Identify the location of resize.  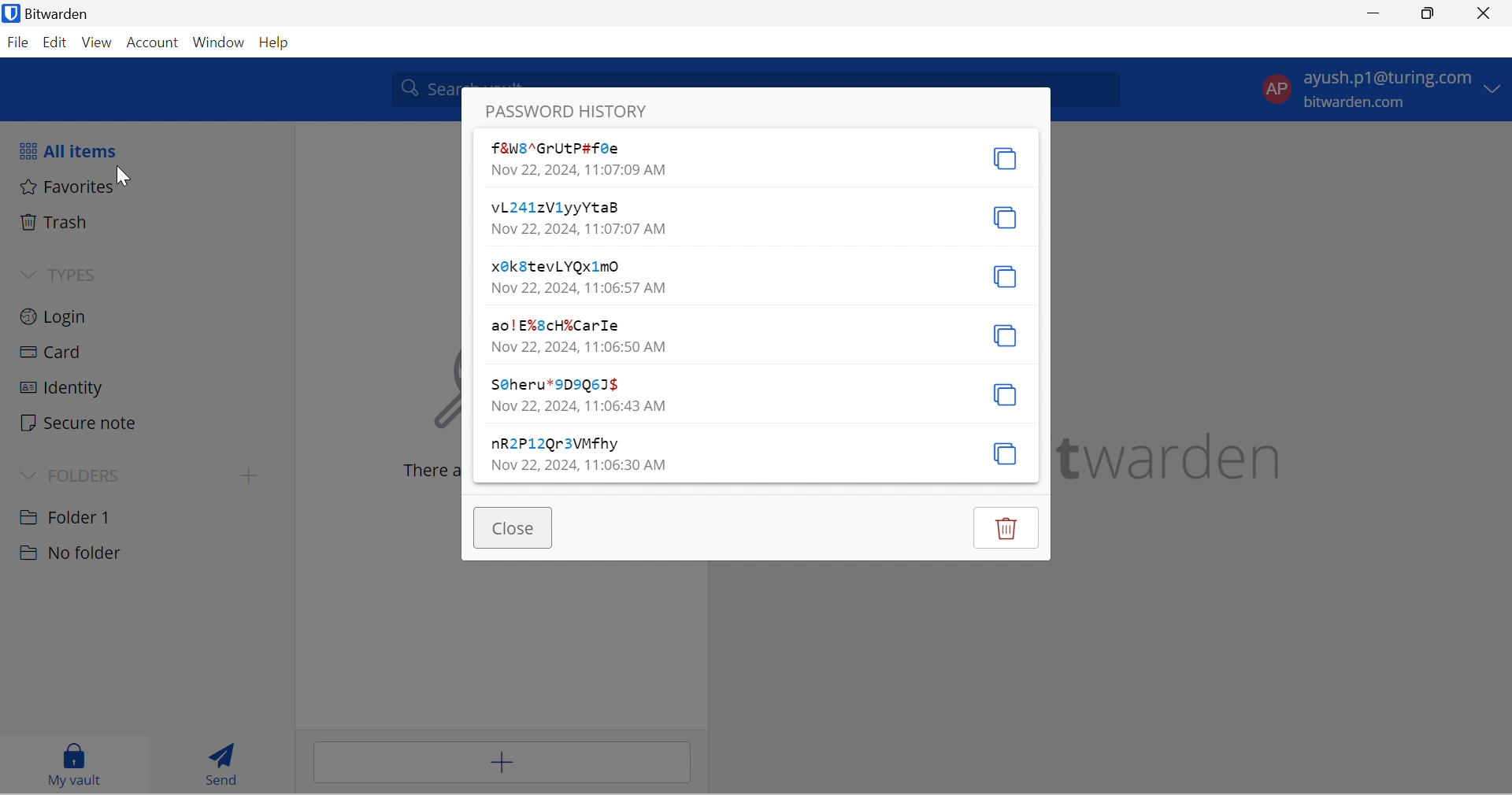
(1433, 14).